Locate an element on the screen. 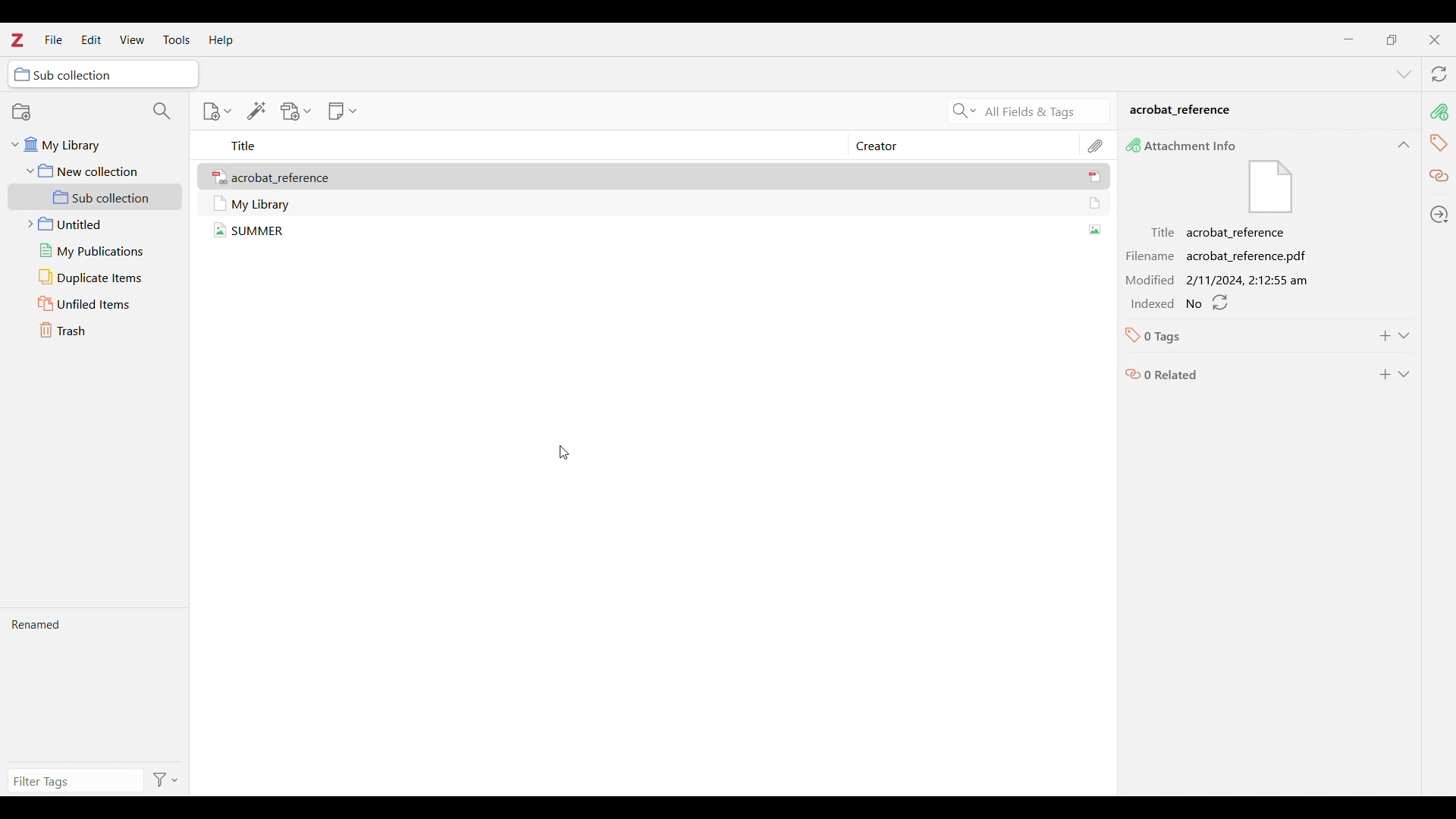 The image size is (1456, 819). Title  is located at coordinates (244, 147).